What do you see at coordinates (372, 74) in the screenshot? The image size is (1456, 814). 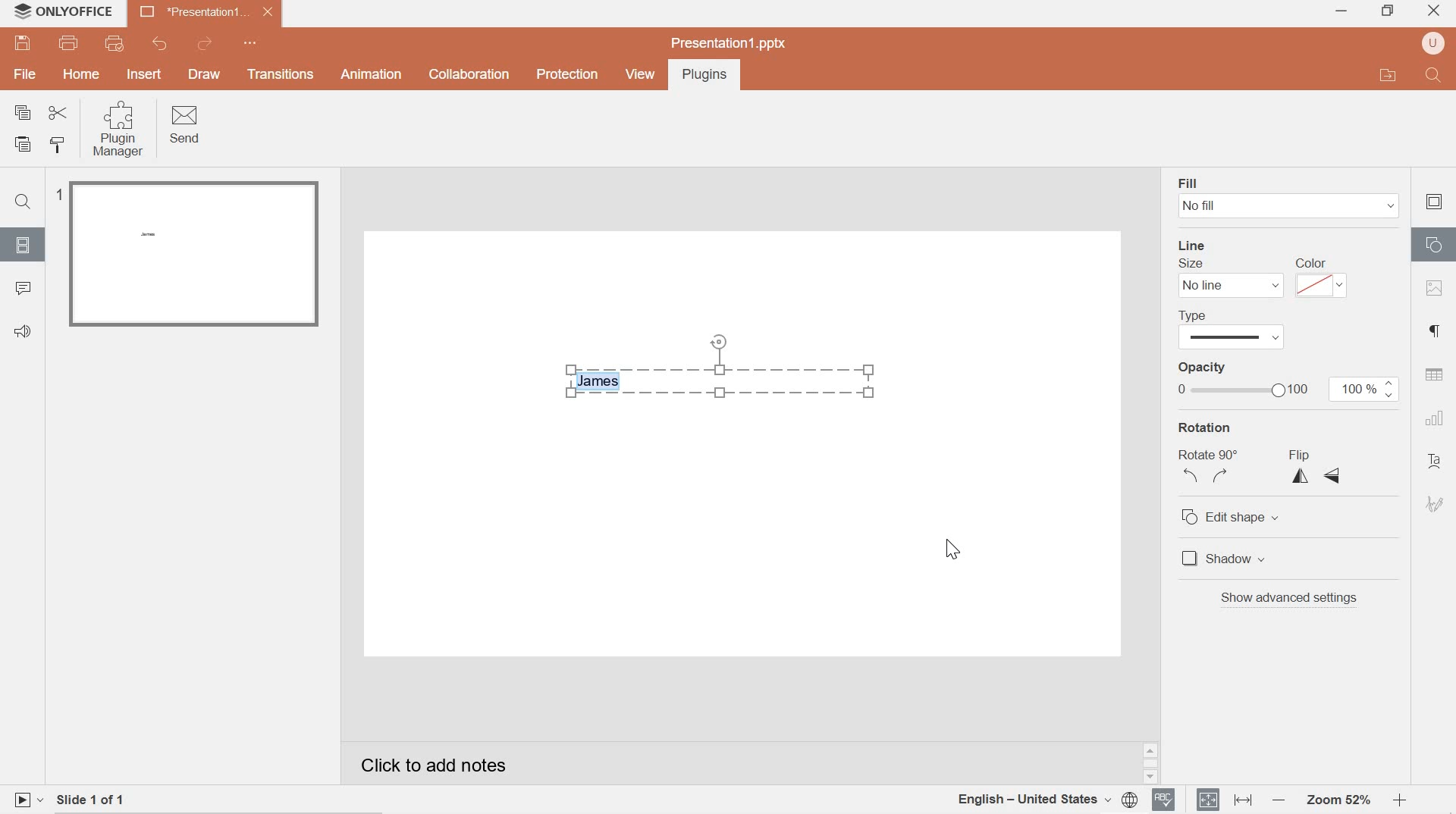 I see `Animation` at bounding box center [372, 74].